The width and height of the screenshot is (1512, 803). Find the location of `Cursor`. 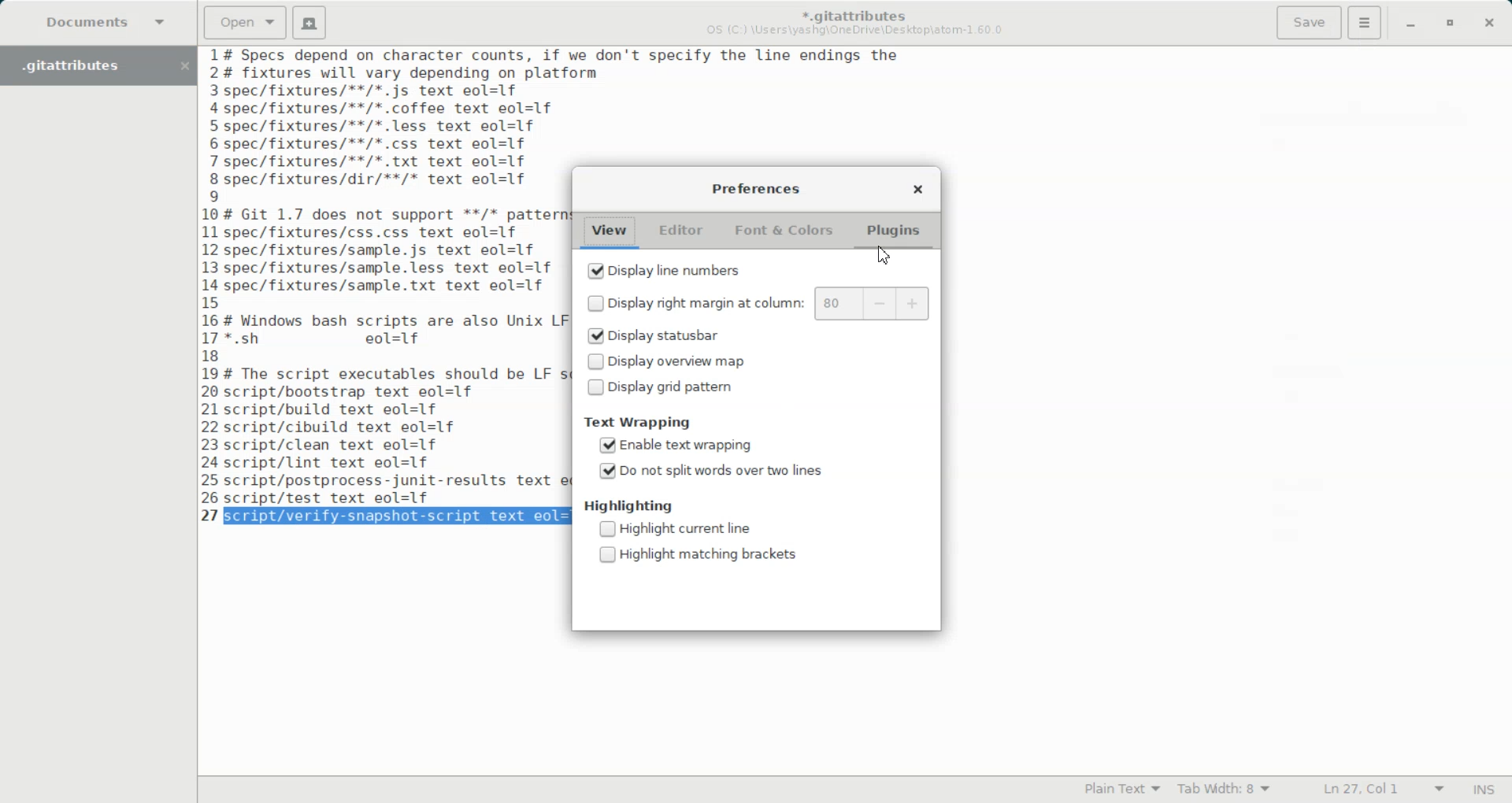

Cursor is located at coordinates (884, 255).